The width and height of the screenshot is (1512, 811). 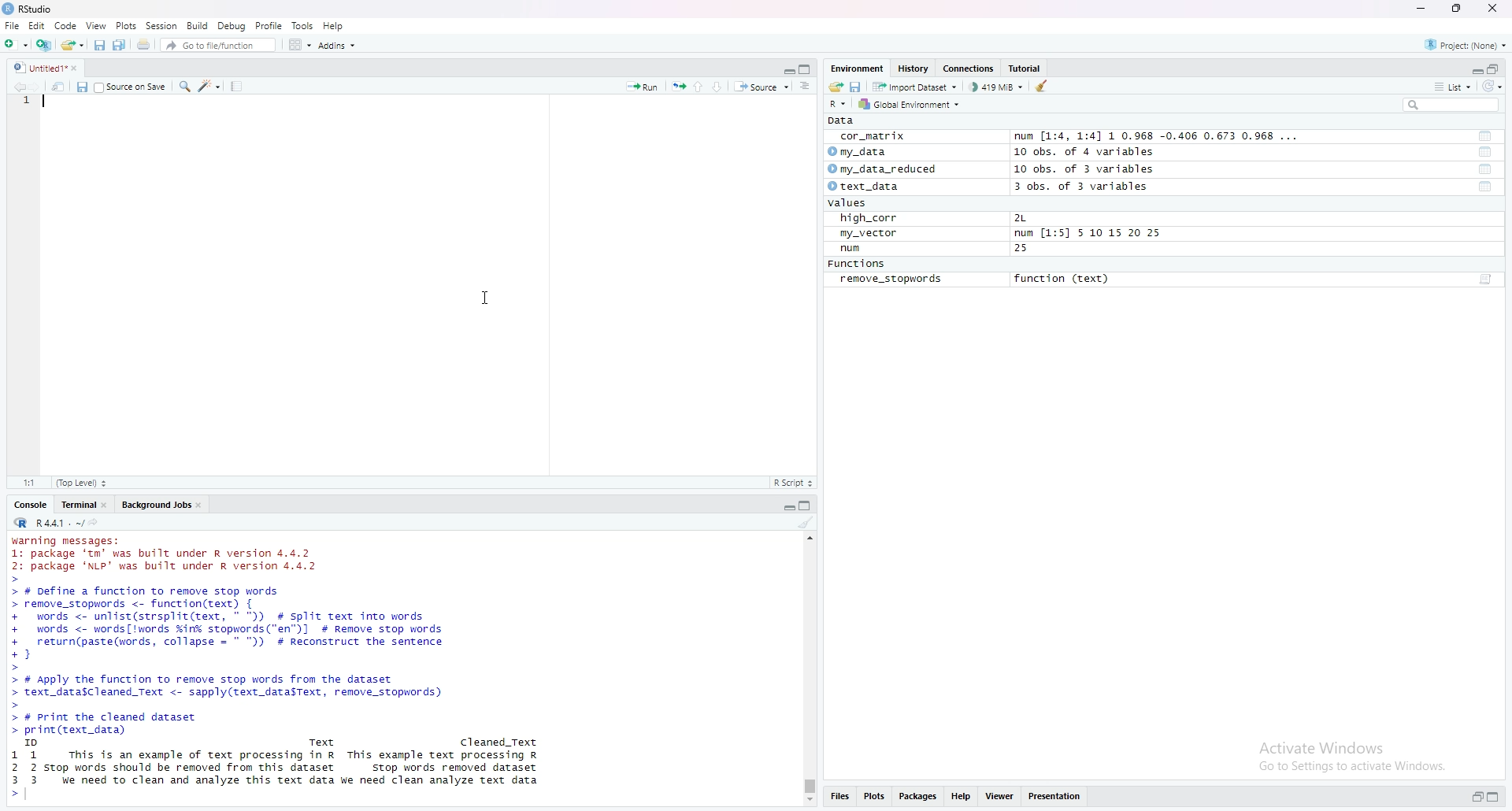 What do you see at coordinates (19, 523) in the screenshot?
I see `R` at bounding box center [19, 523].